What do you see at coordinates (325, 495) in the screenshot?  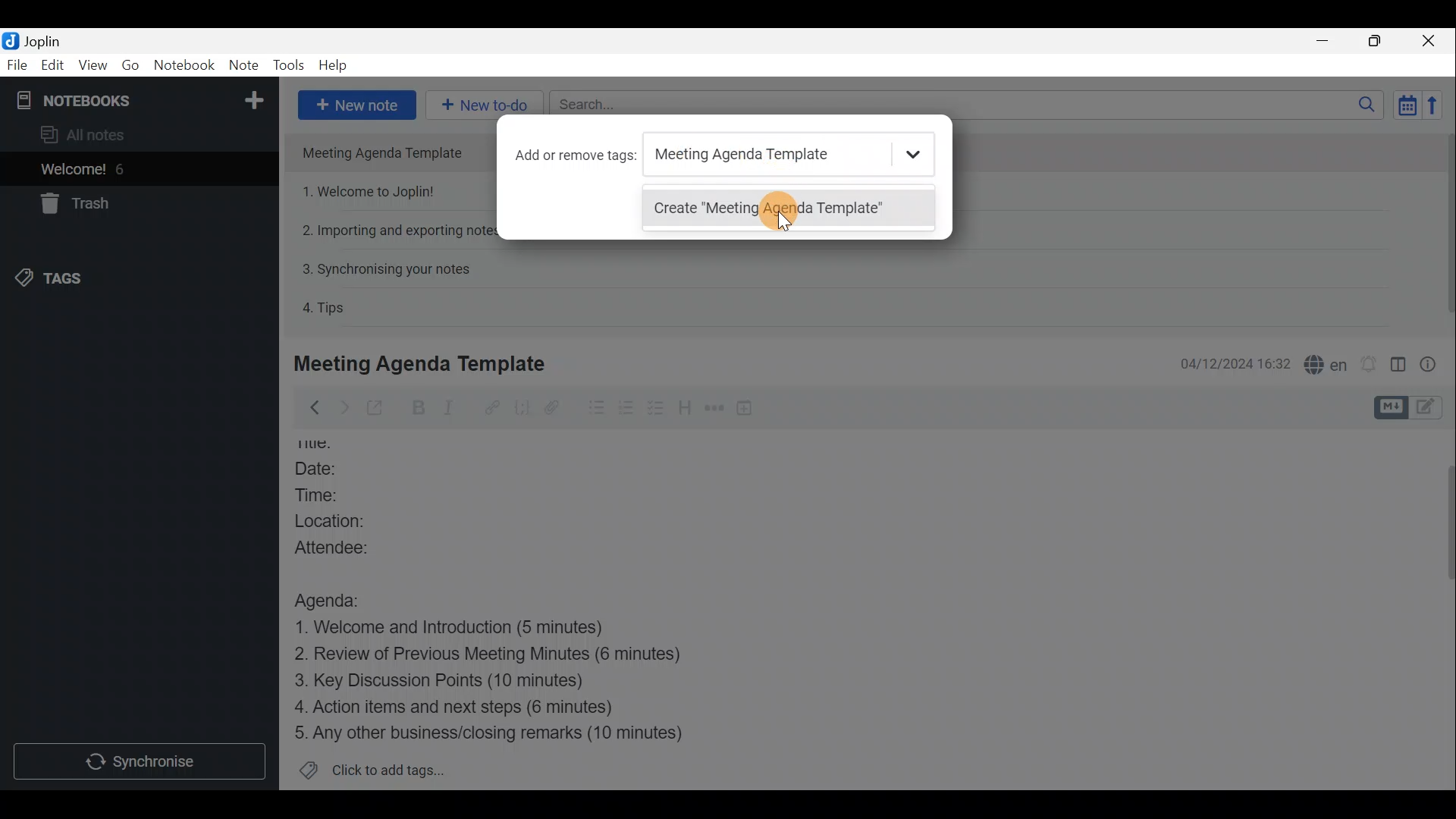 I see `Time:` at bounding box center [325, 495].